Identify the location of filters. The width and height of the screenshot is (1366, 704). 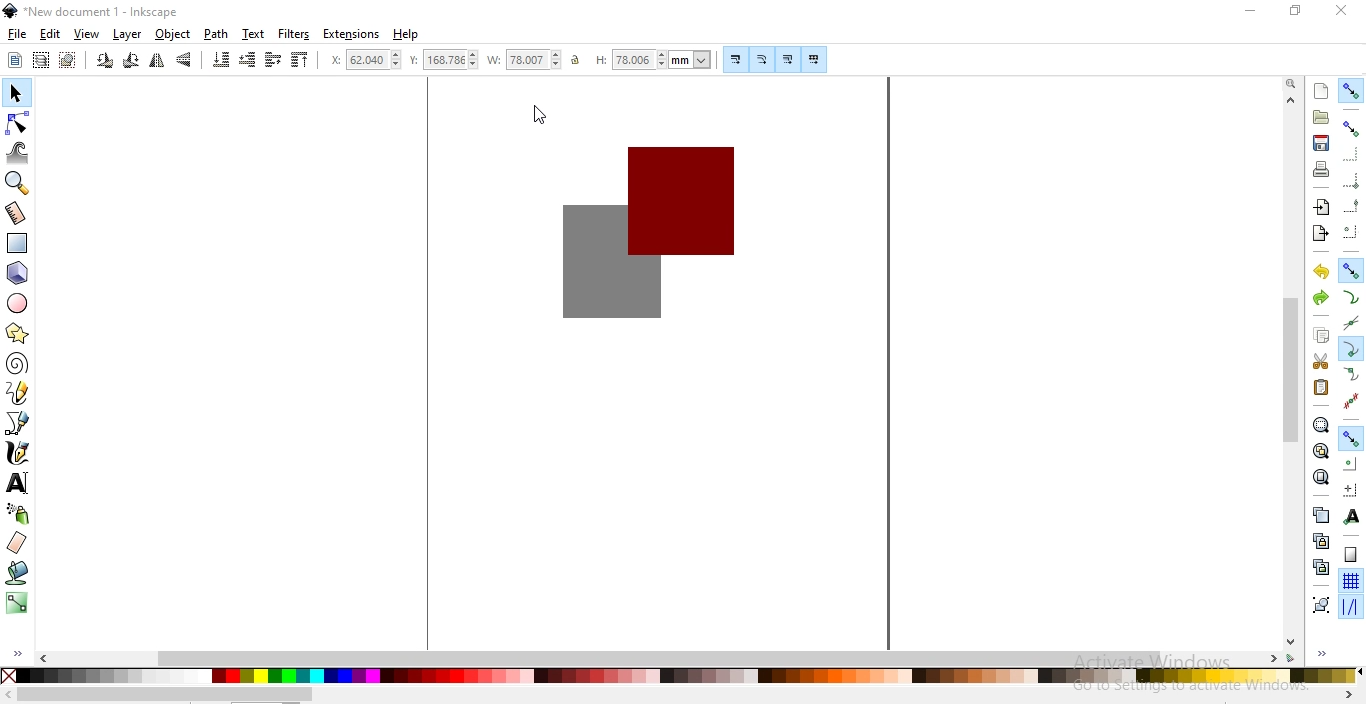
(293, 35).